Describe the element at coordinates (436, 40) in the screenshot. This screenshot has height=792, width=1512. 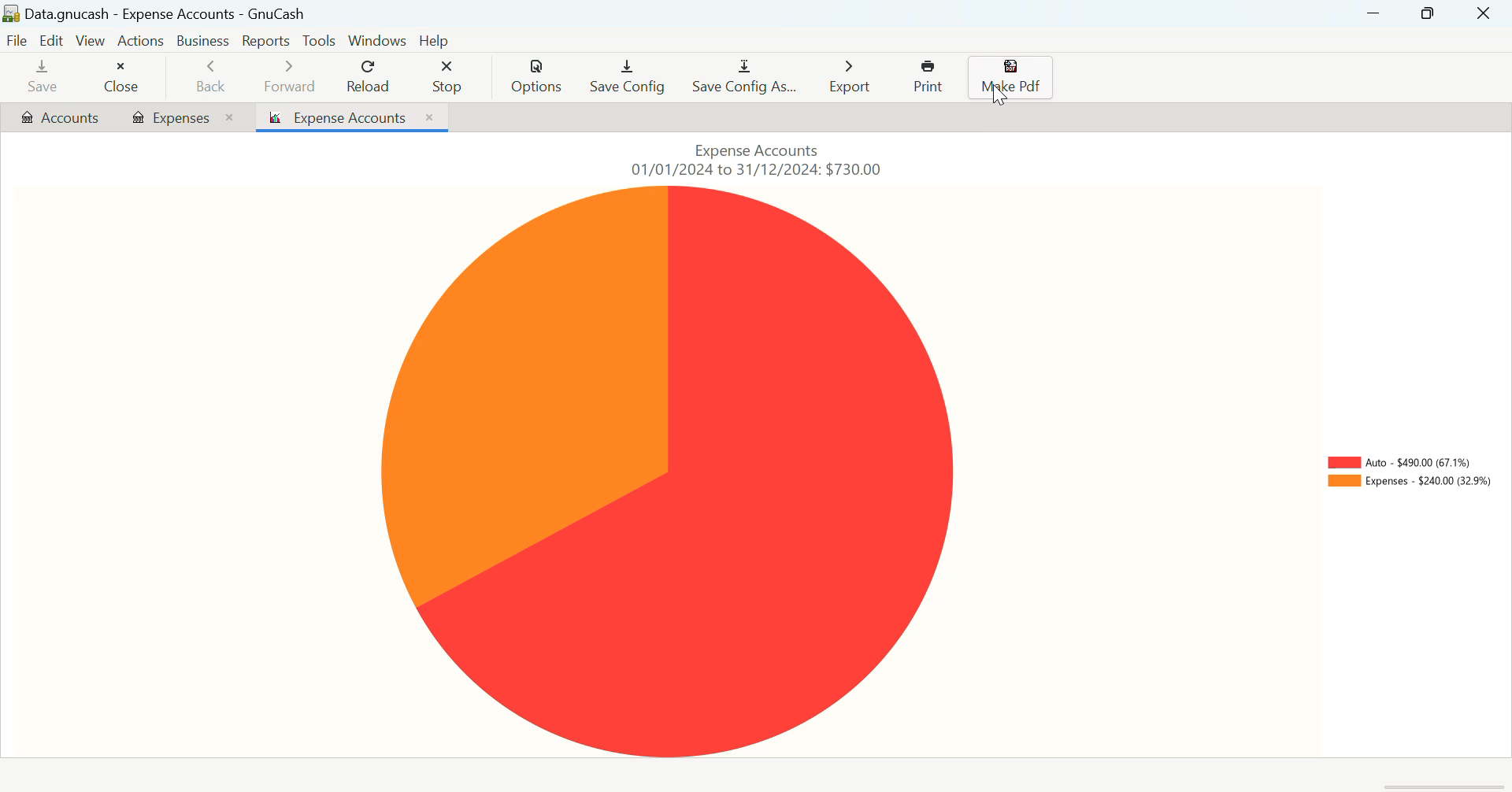
I see `Help` at that location.